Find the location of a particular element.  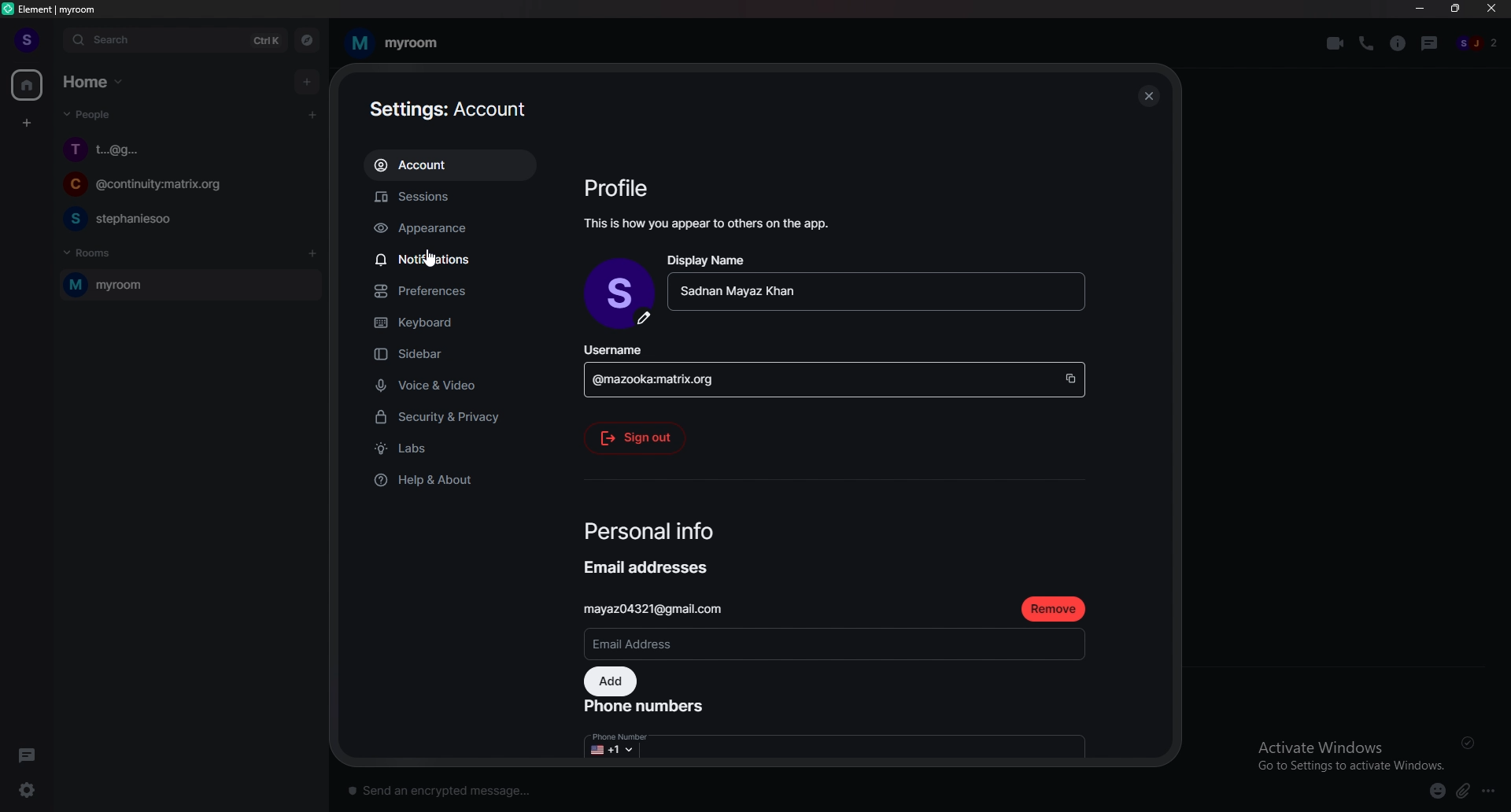

input email address is located at coordinates (837, 642).